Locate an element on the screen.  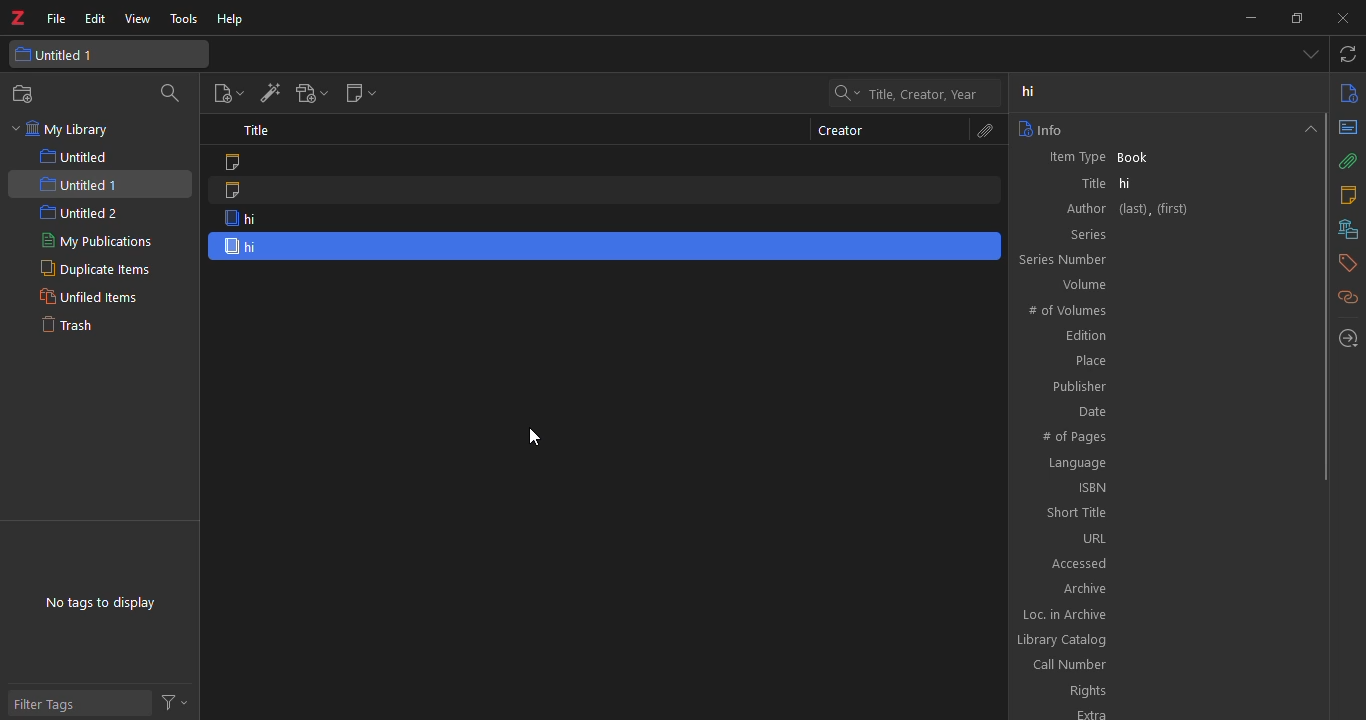
author is located at coordinates (1083, 209).